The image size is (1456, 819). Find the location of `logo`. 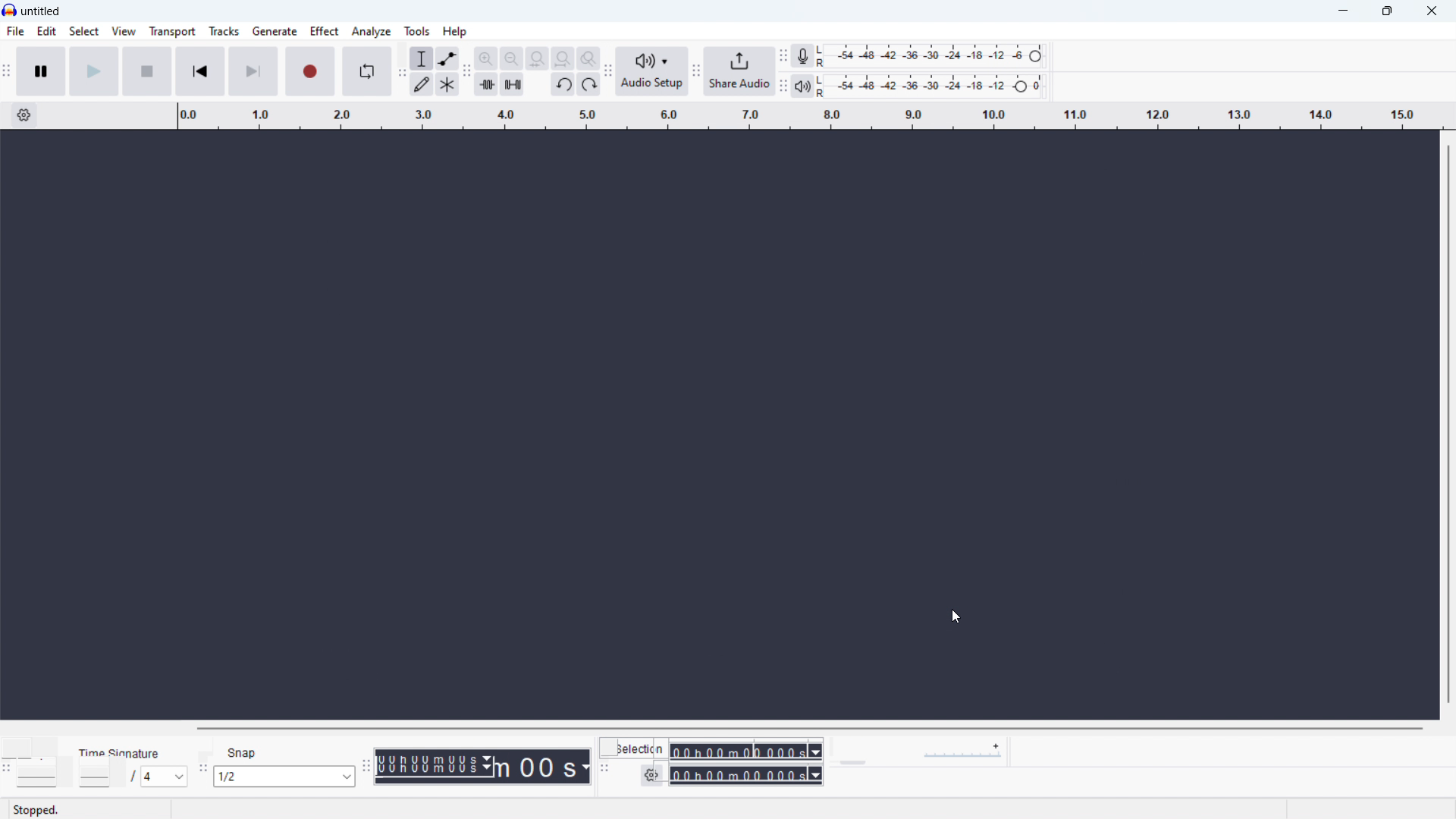

logo is located at coordinates (10, 10).